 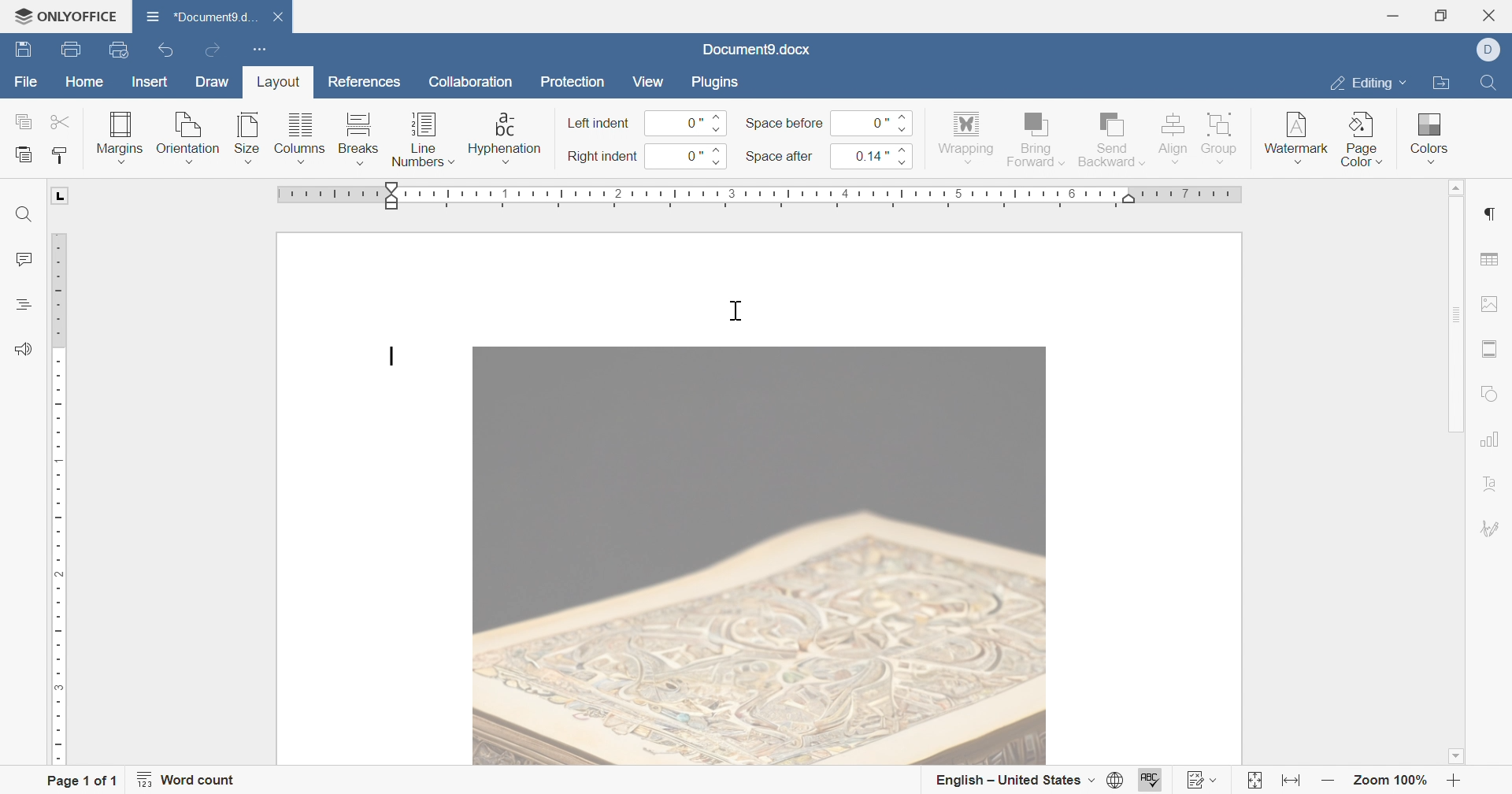 What do you see at coordinates (1446, 15) in the screenshot?
I see `restore down` at bounding box center [1446, 15].